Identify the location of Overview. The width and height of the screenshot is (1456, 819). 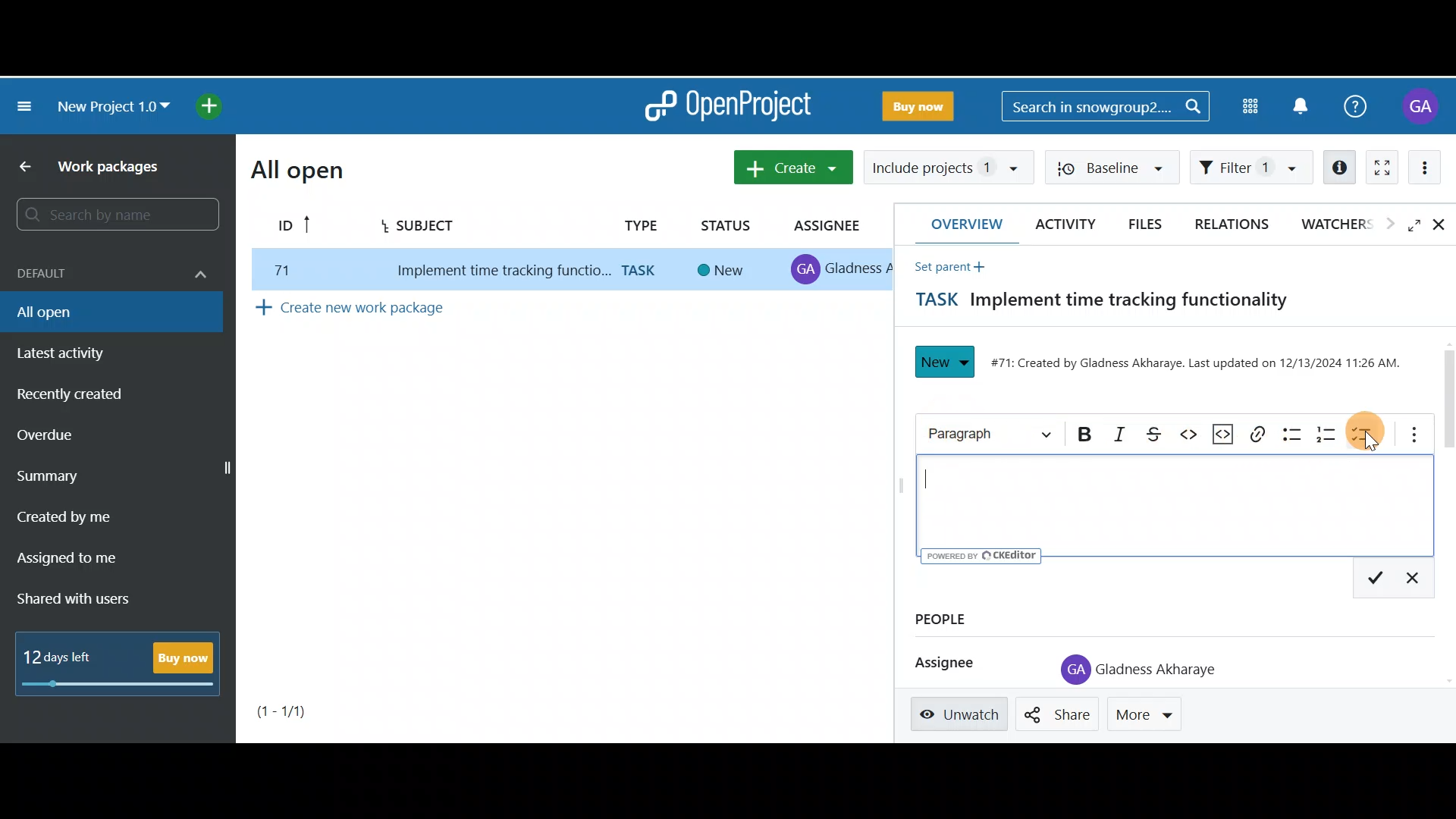
(960, 224).